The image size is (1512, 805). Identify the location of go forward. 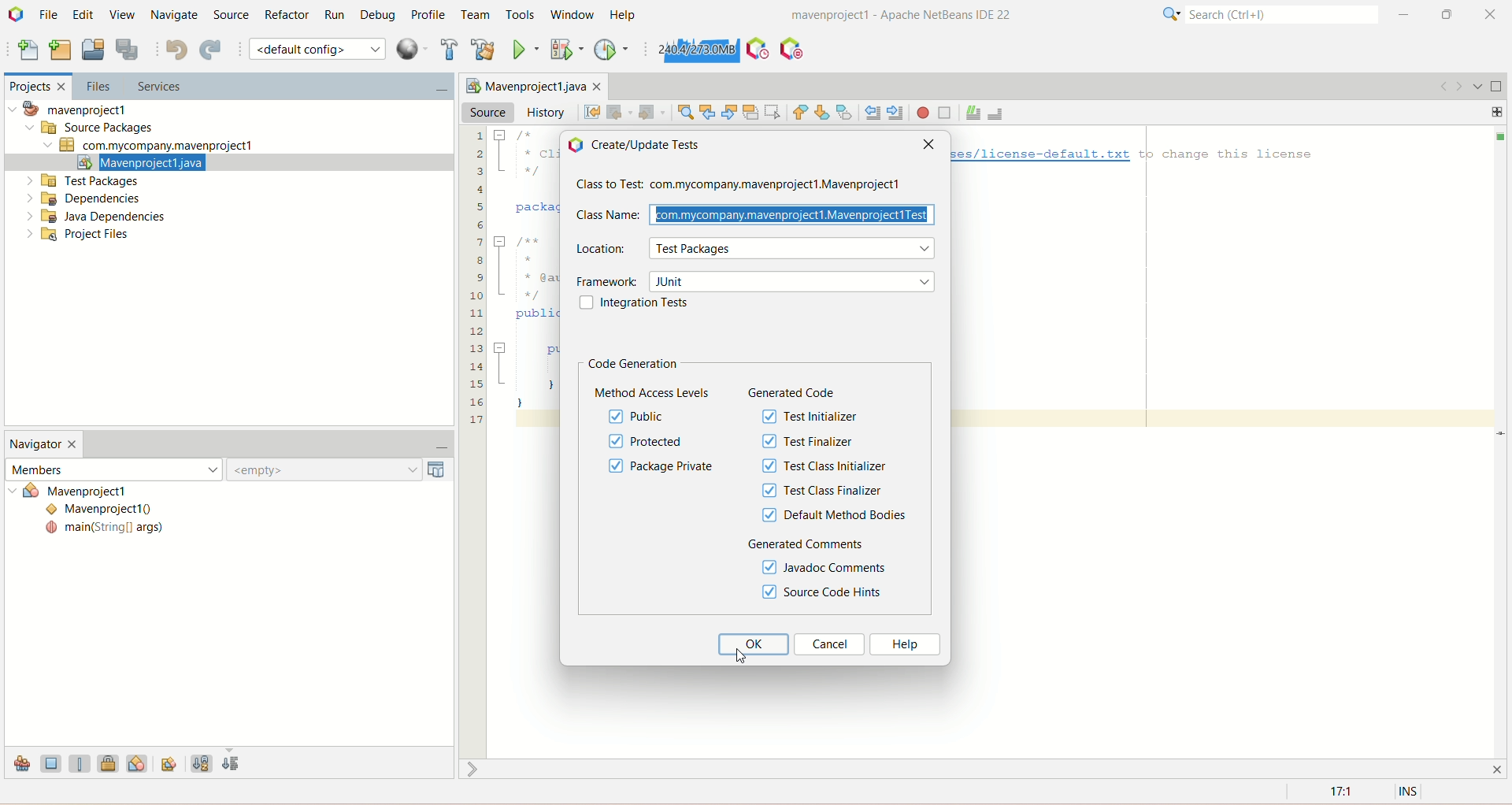
(1458, 86).